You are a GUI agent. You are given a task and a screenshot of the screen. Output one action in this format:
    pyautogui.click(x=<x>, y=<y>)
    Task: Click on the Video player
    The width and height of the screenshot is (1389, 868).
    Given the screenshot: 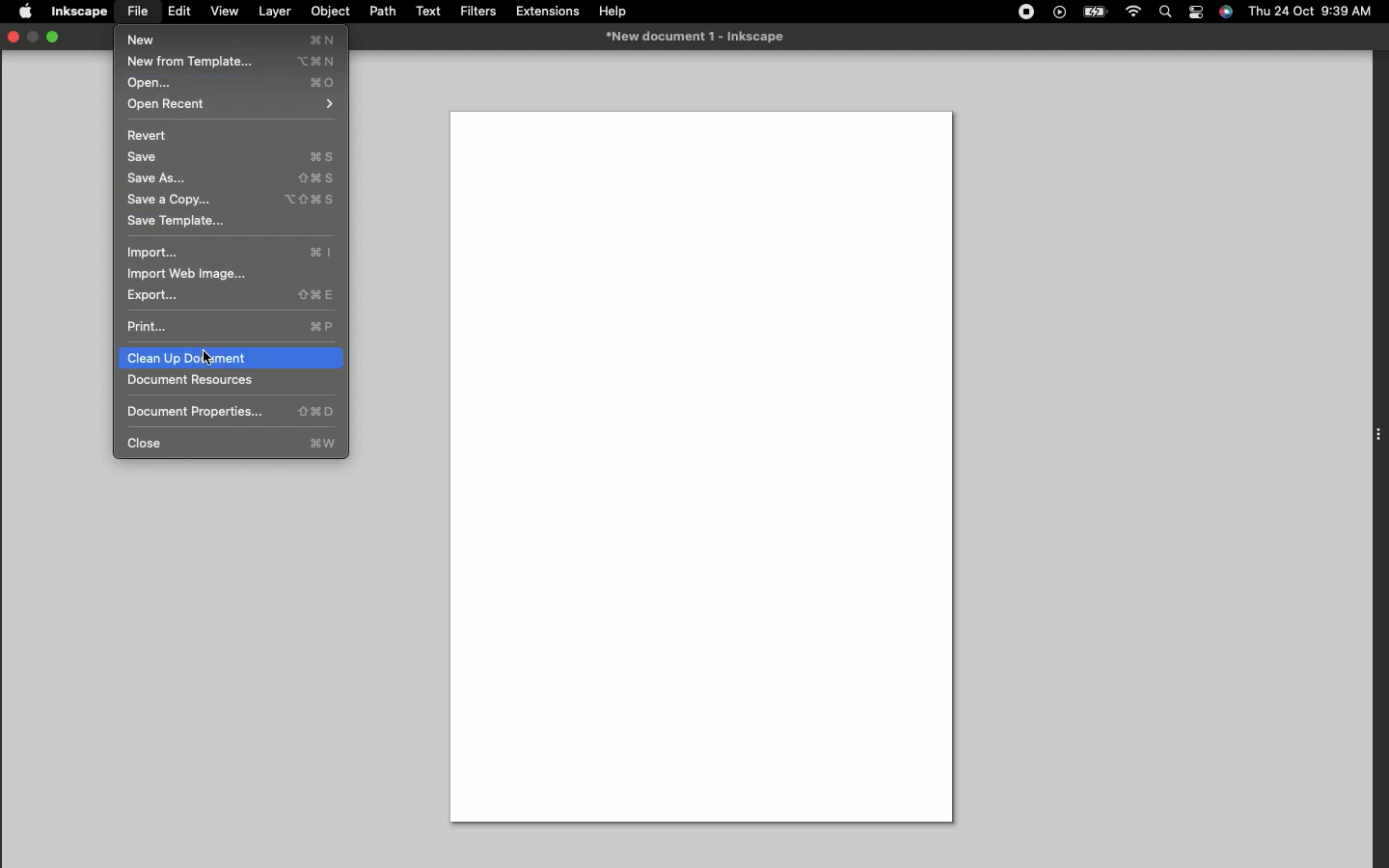 What is the action you would take?
    pyautogui.click(x=1061, y=14)
    